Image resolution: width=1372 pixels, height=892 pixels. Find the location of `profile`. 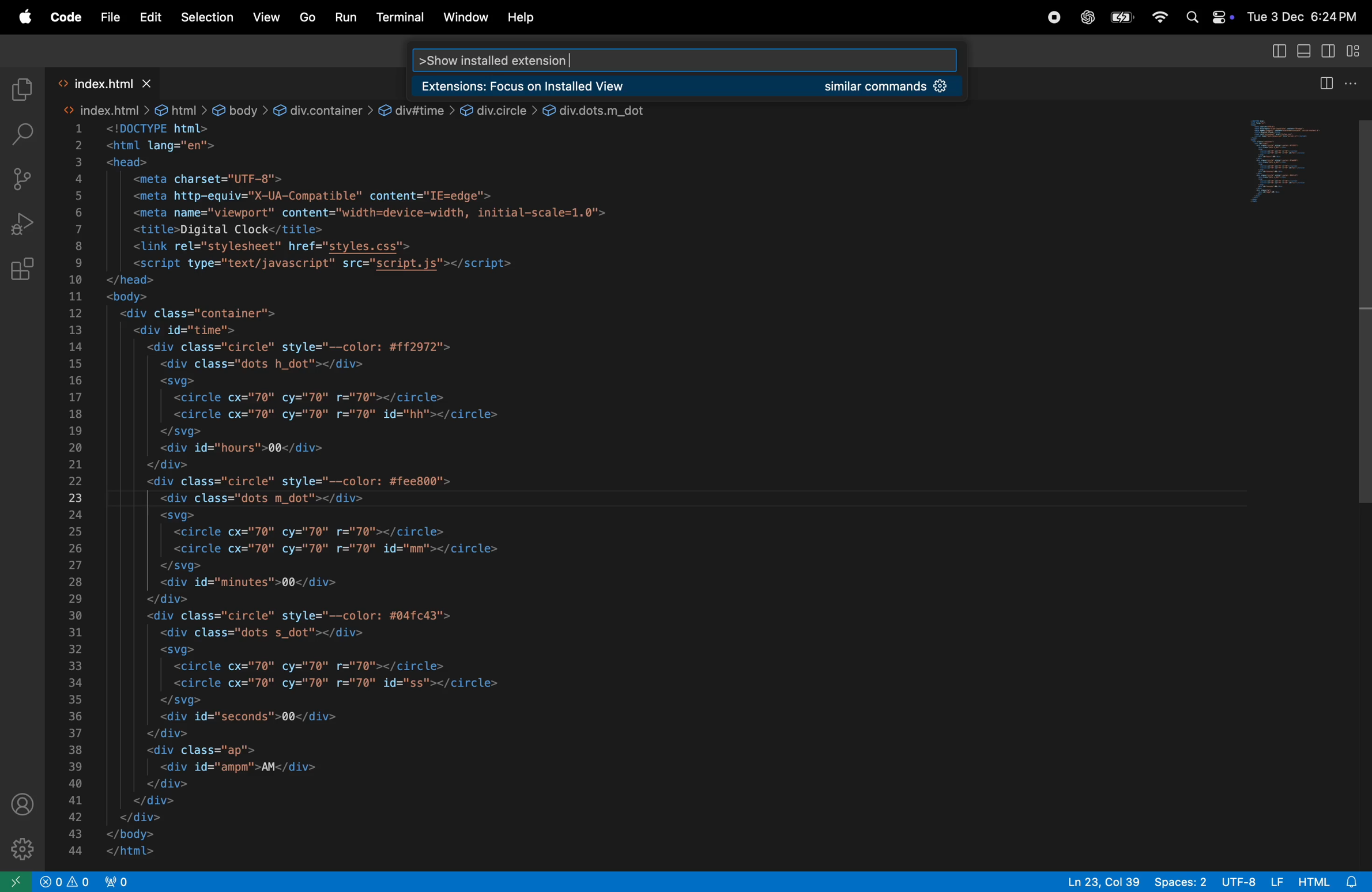

profile is located at coordinates (20, 803).